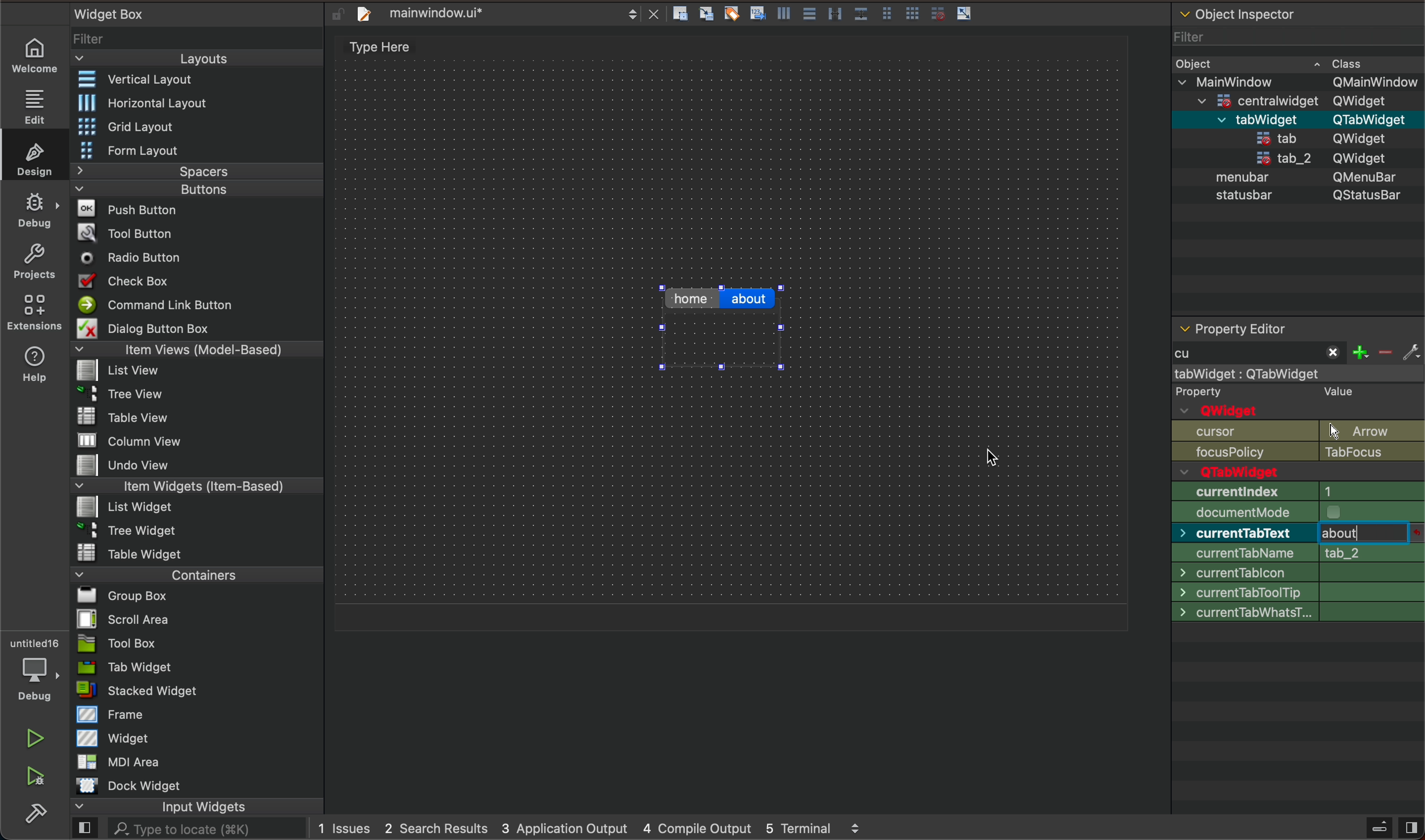  I want to click on debug, so click(35, 209).